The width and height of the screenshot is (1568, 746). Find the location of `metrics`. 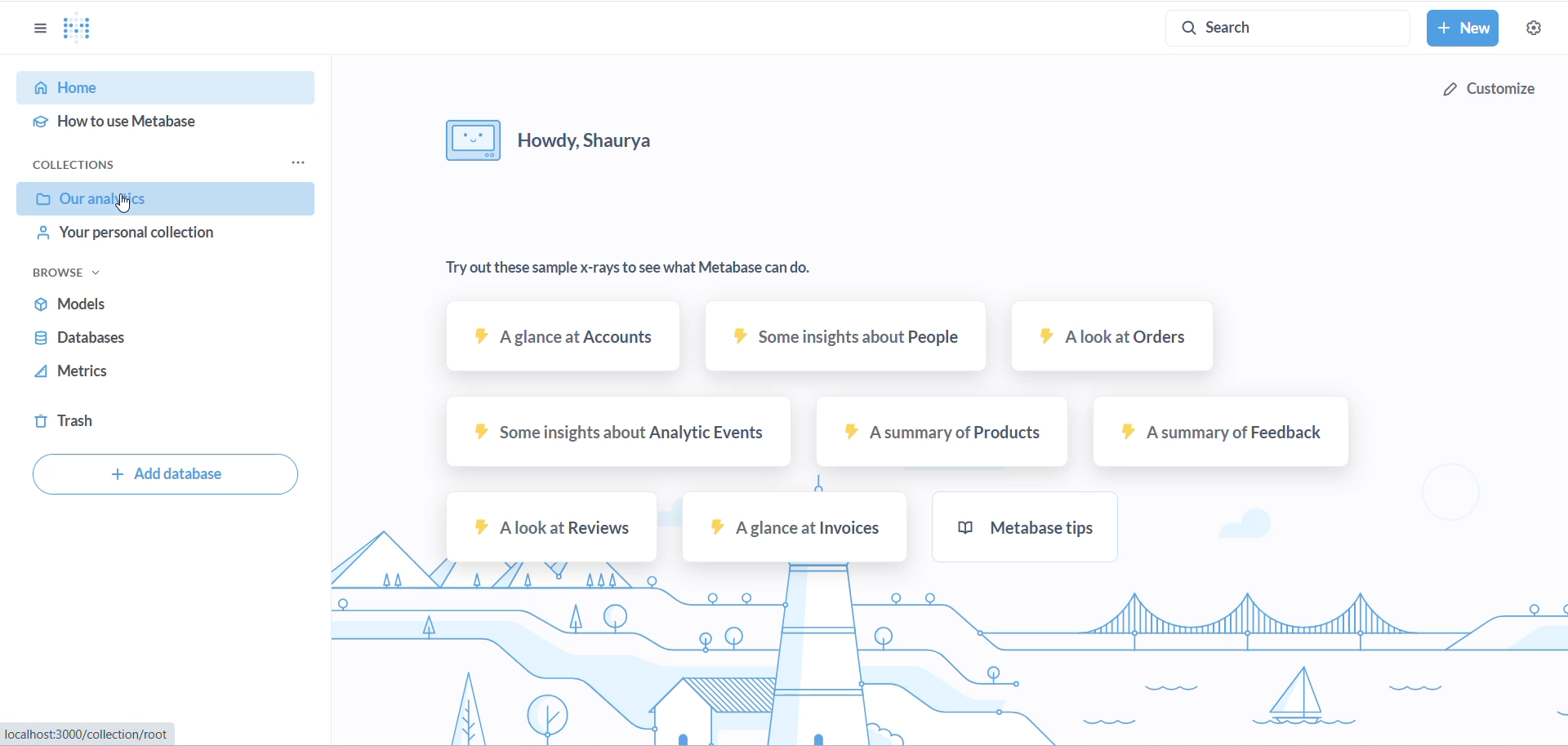

metrics is located at coordinates (149, 371).